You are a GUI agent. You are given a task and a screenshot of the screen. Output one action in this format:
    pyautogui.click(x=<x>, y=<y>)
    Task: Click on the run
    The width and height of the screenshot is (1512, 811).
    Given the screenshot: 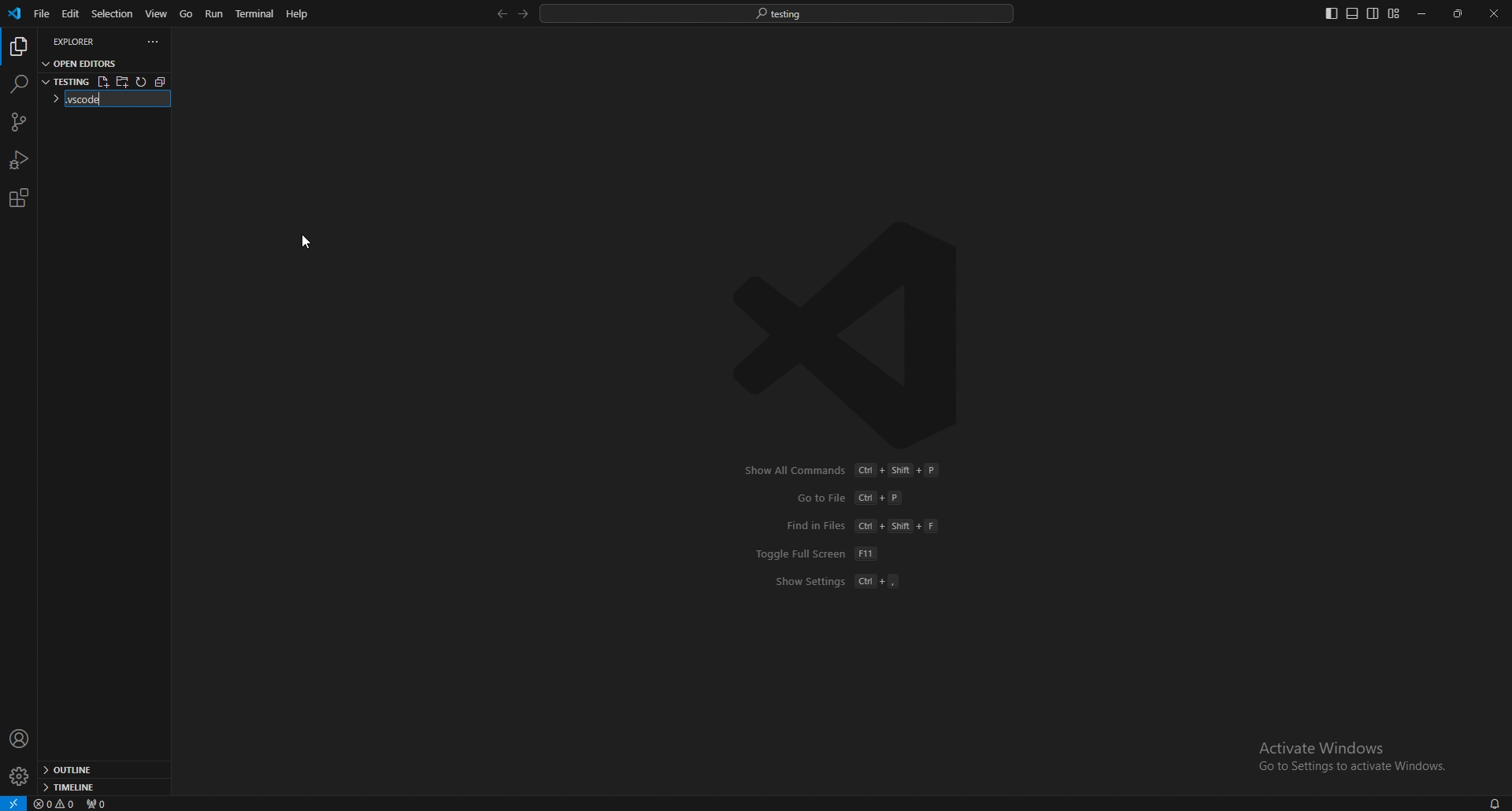 What is the action you would take?
    pyautogui.click(x=216, y=13)
    